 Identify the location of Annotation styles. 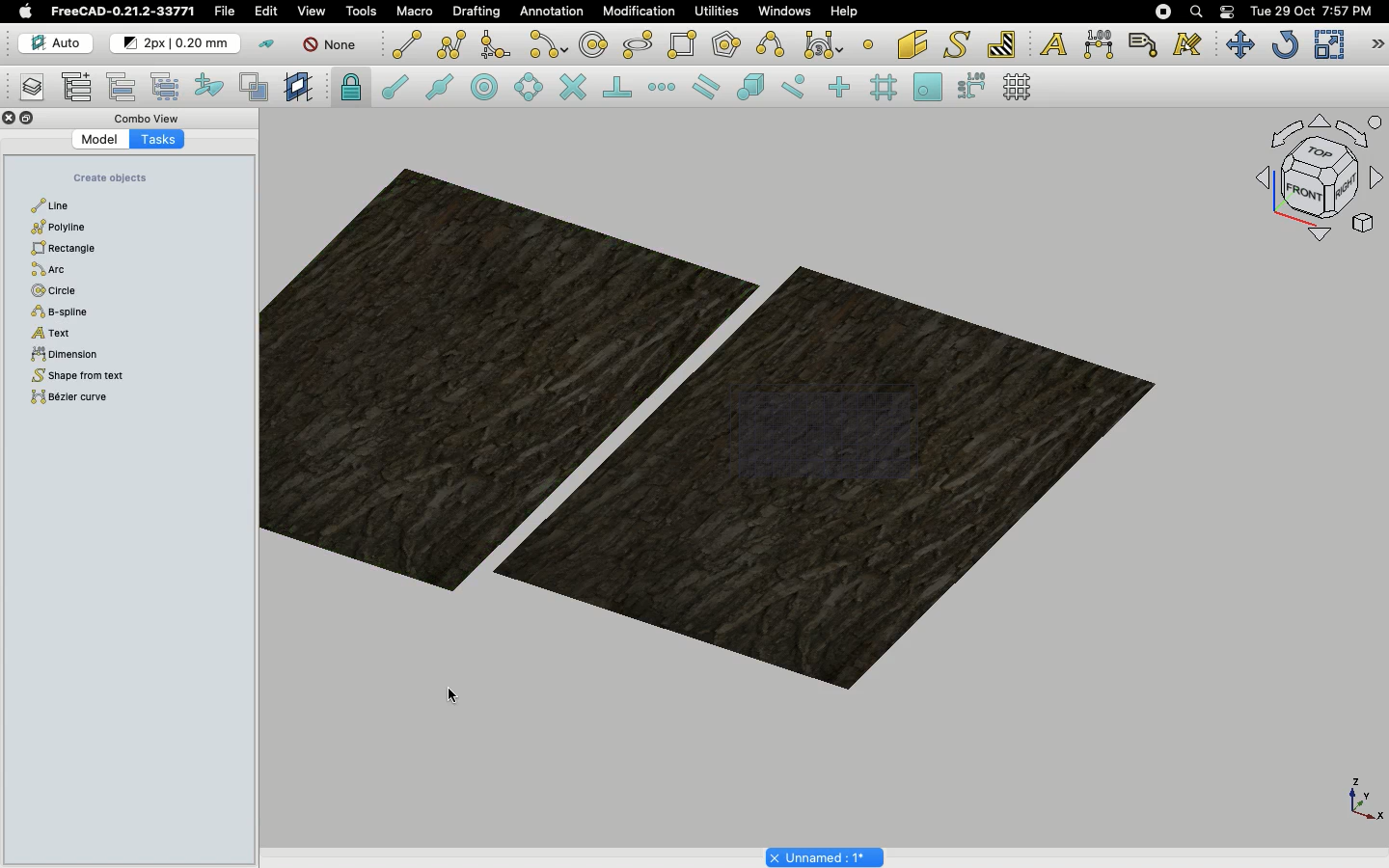
(1188, 44).